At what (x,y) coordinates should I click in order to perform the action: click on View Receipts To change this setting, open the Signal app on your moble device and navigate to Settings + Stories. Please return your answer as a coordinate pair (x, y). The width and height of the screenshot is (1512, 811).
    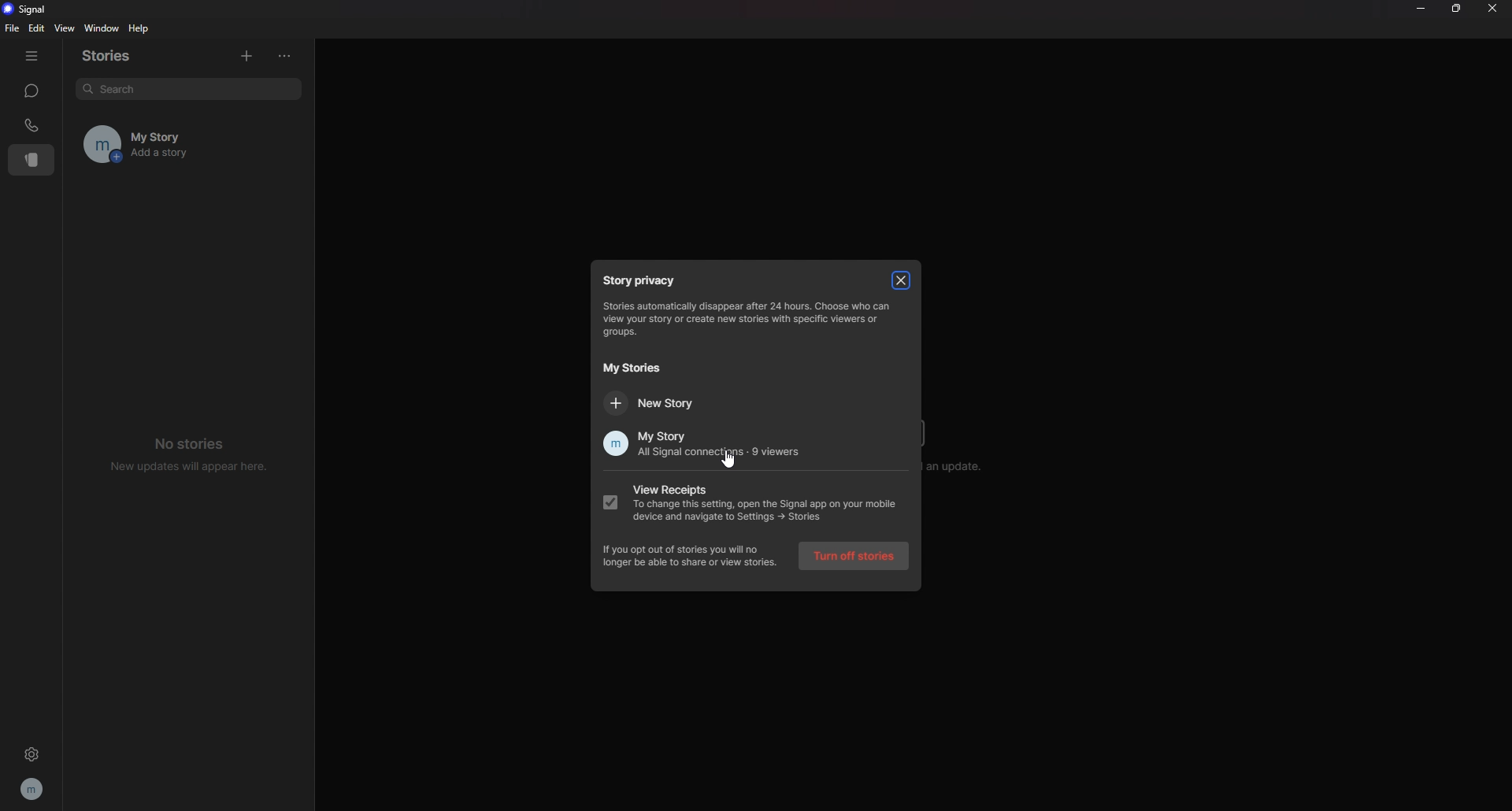
    Looking at the image, I should click on (753, 506).